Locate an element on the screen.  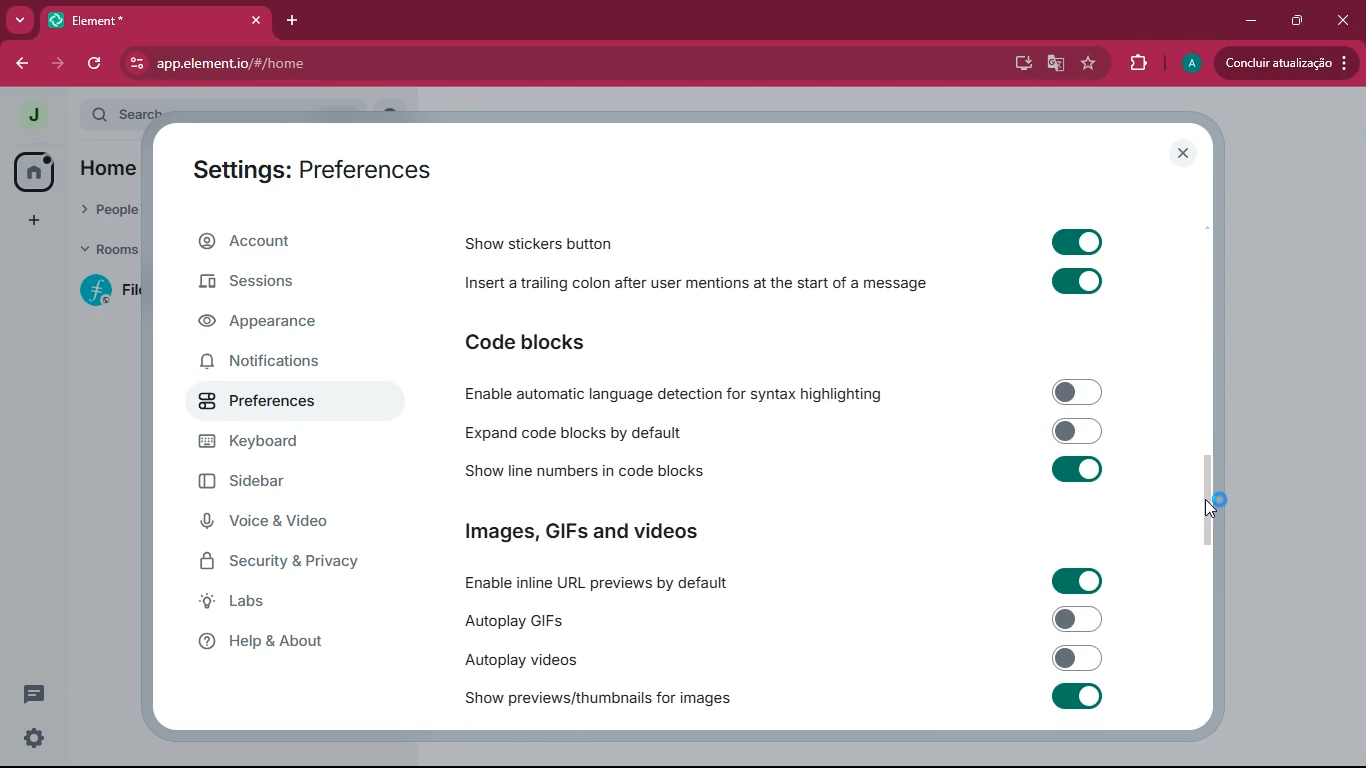
Conduir atualizacado is located at coordinates (1284, 63).